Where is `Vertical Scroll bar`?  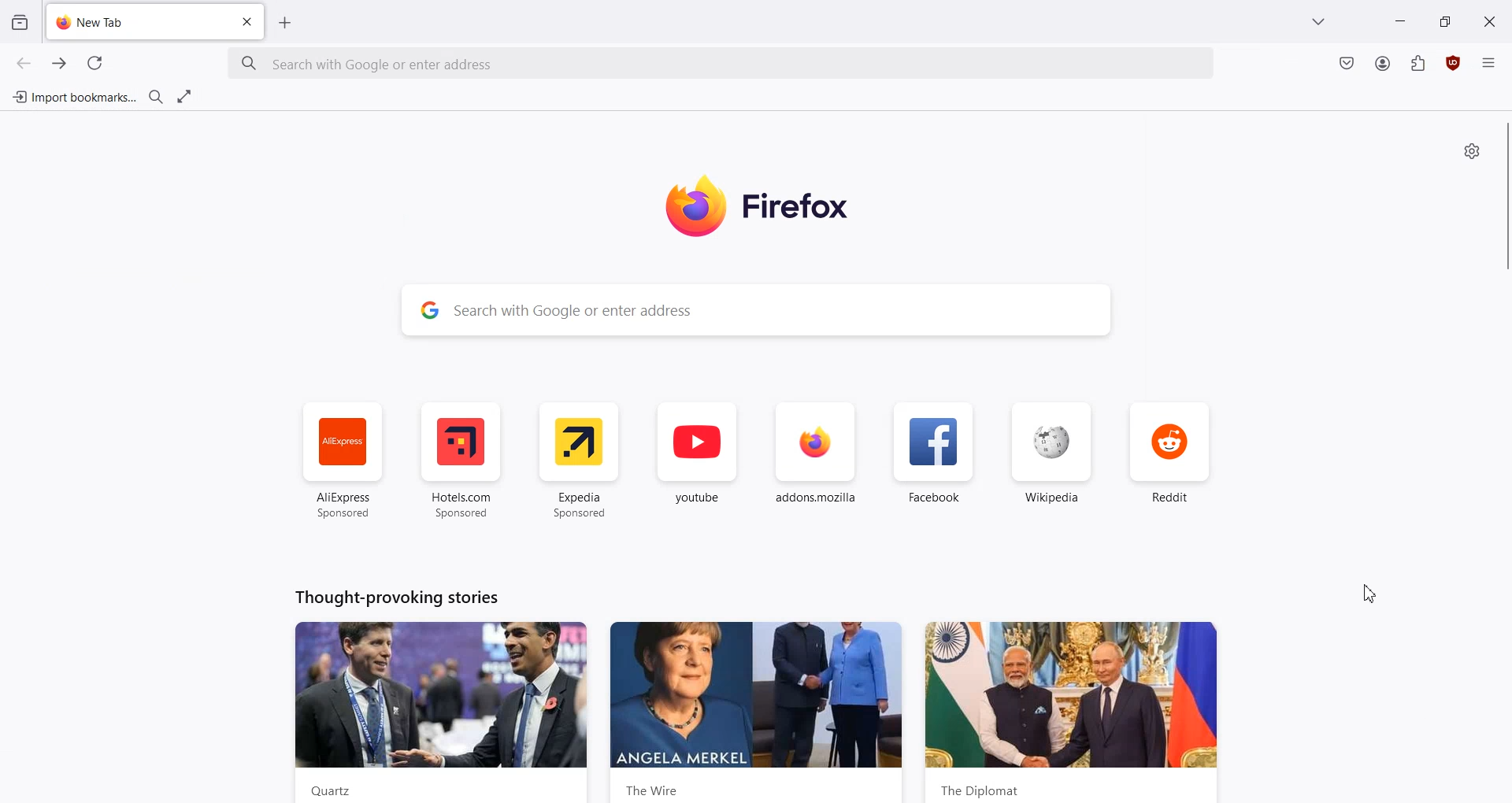
Vertical Scroll bar is located at coordinates (1503, 198).